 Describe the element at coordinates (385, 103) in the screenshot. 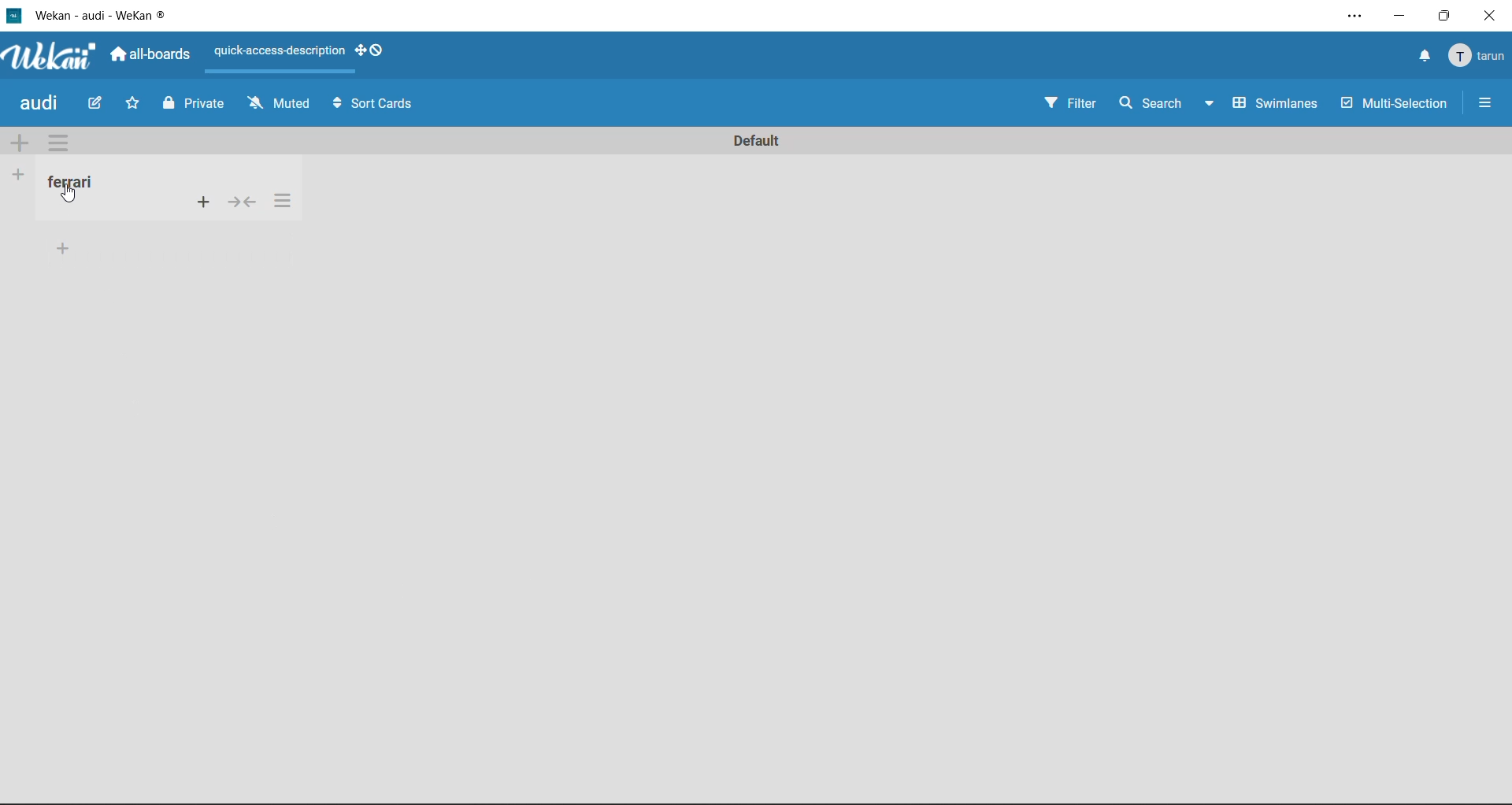

I see `Sort Cards` at that location.